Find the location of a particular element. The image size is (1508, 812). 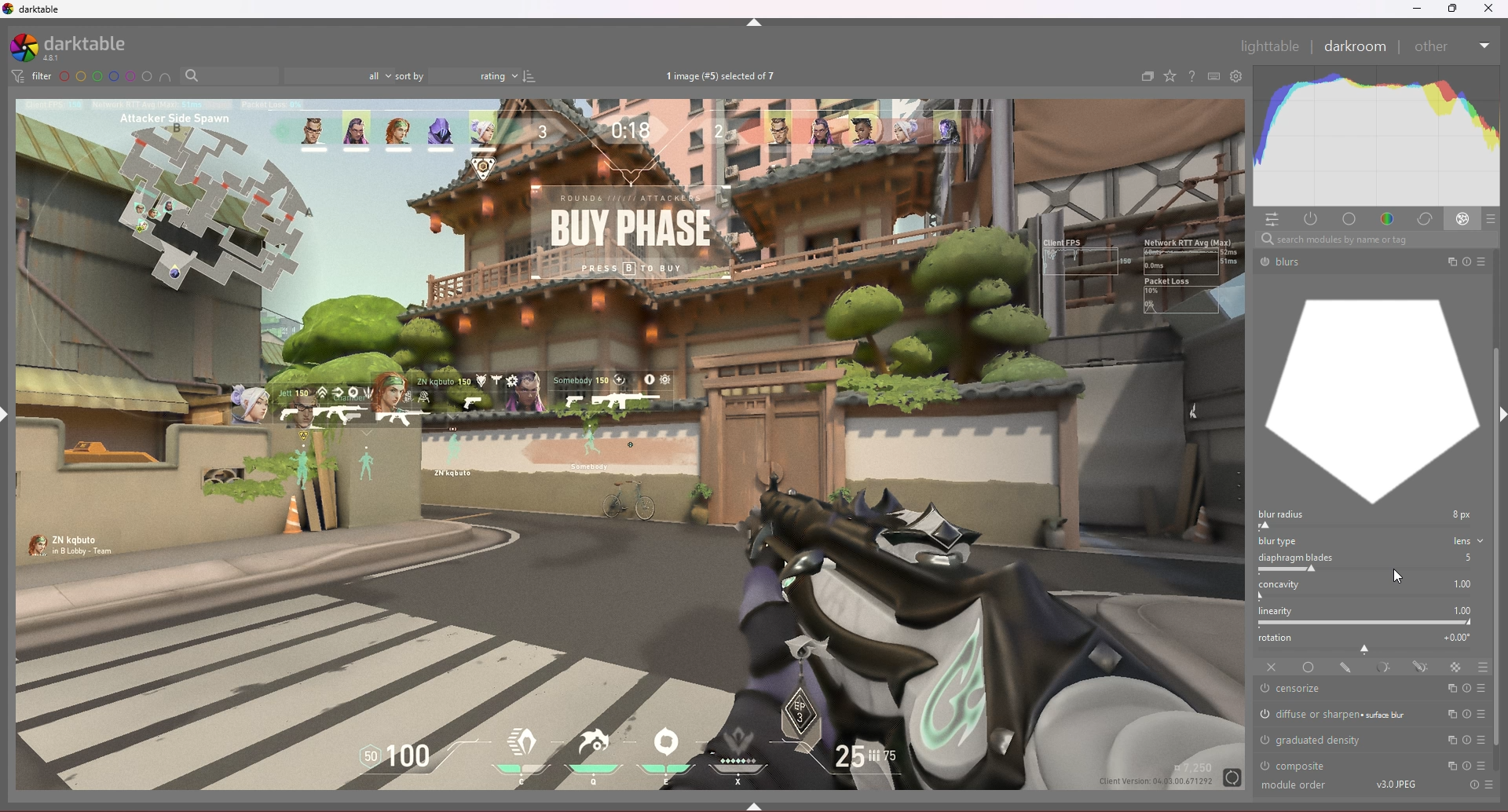

 is located at coordinates (1268, 46).